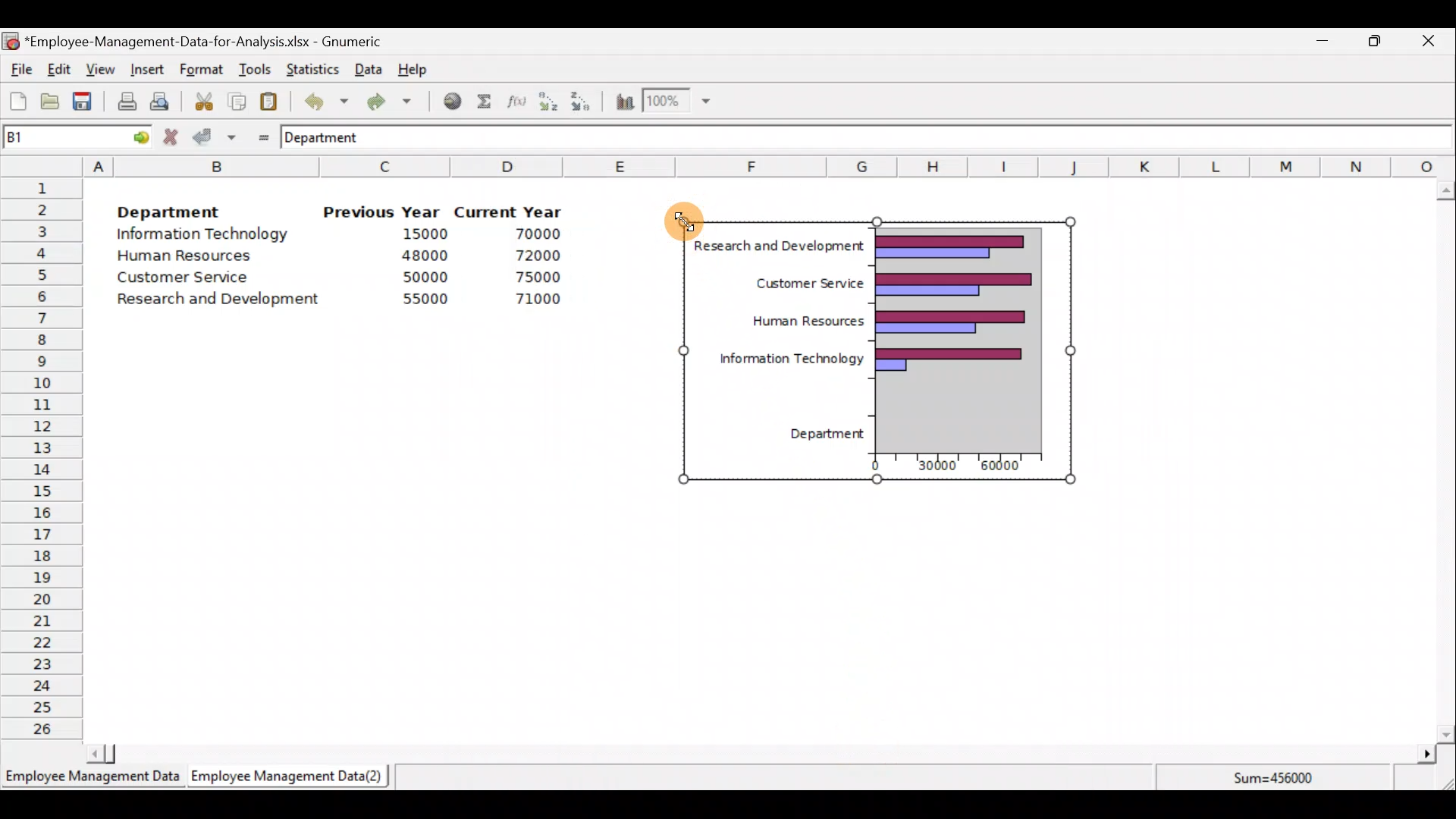 This screenshot has height=819, width=1456. What do you see at coordinates (959, 341) in the screenshot?
I see `Chart preview` at bounding box center [959, 341].